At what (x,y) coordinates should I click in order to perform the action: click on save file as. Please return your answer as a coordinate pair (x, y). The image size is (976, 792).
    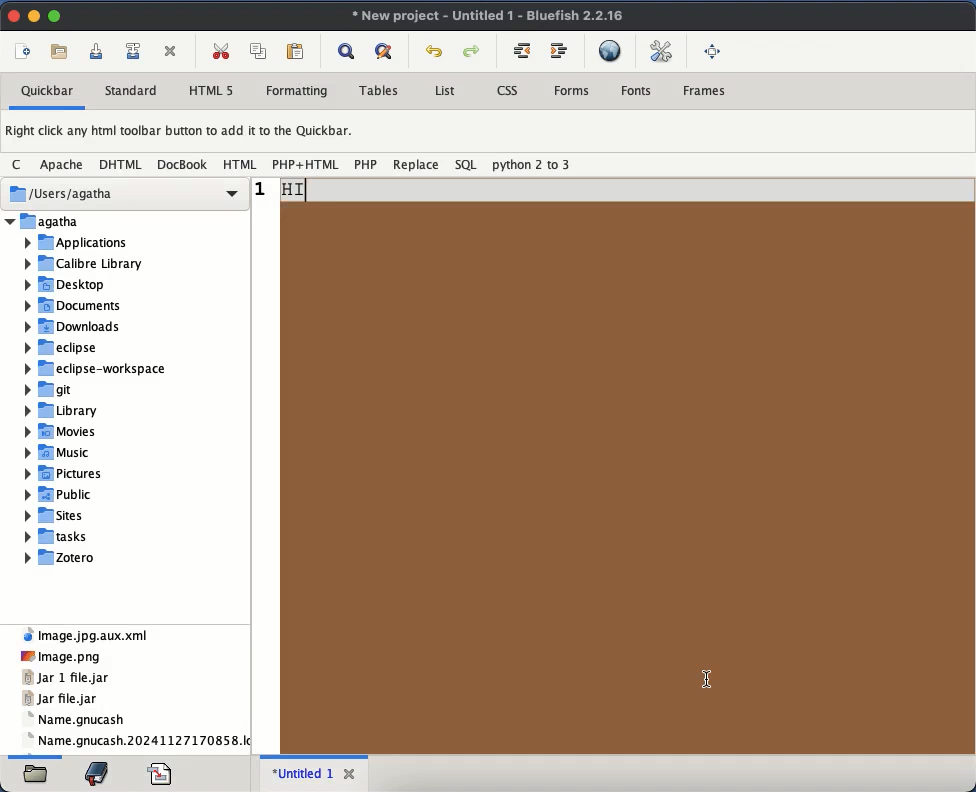
    Looking at the image, I should click on (133, 52).